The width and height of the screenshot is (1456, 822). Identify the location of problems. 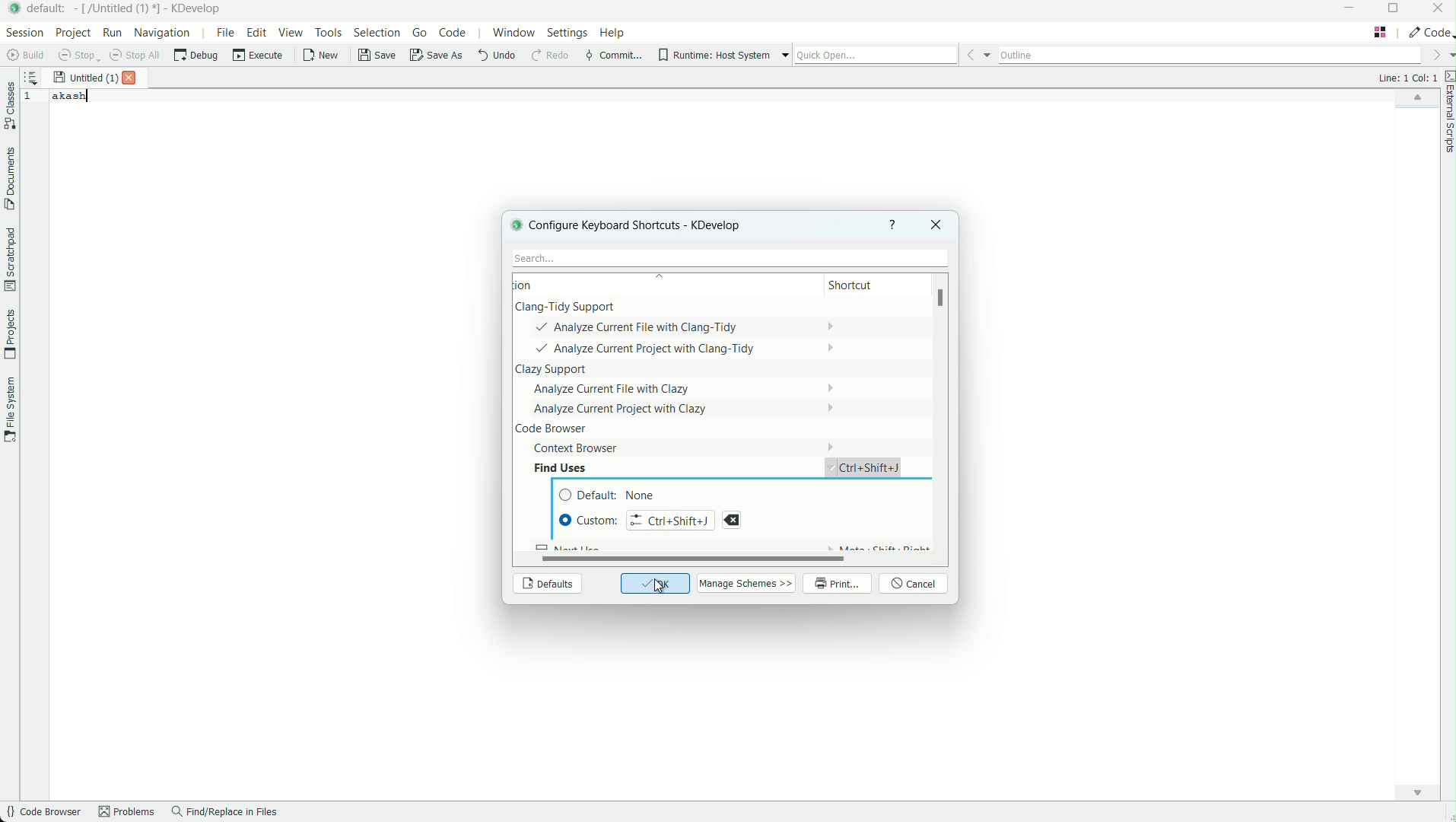
(127, 813).